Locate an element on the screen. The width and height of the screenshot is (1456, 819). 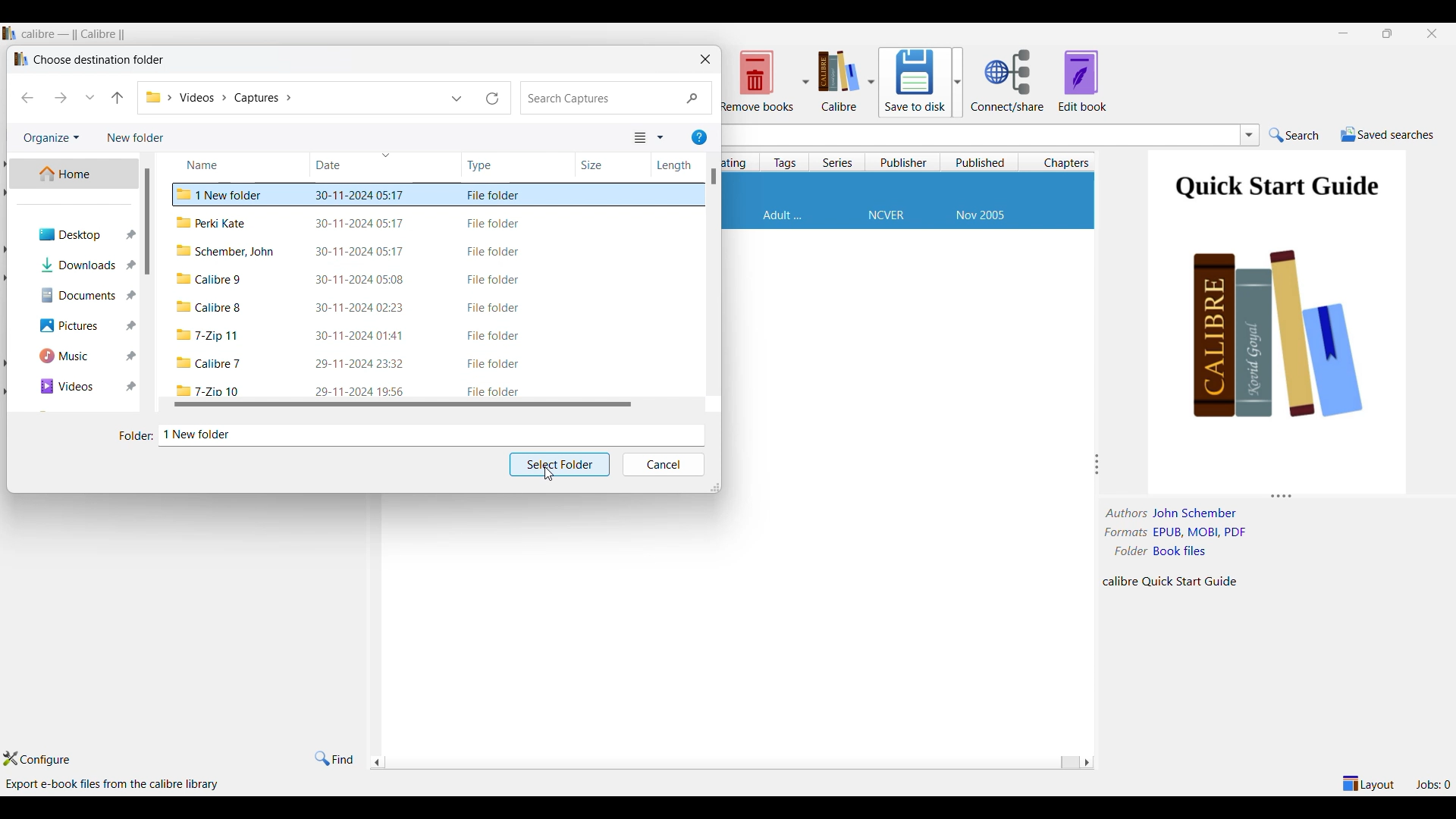
Publisher column is located at coordinates (905, 162).